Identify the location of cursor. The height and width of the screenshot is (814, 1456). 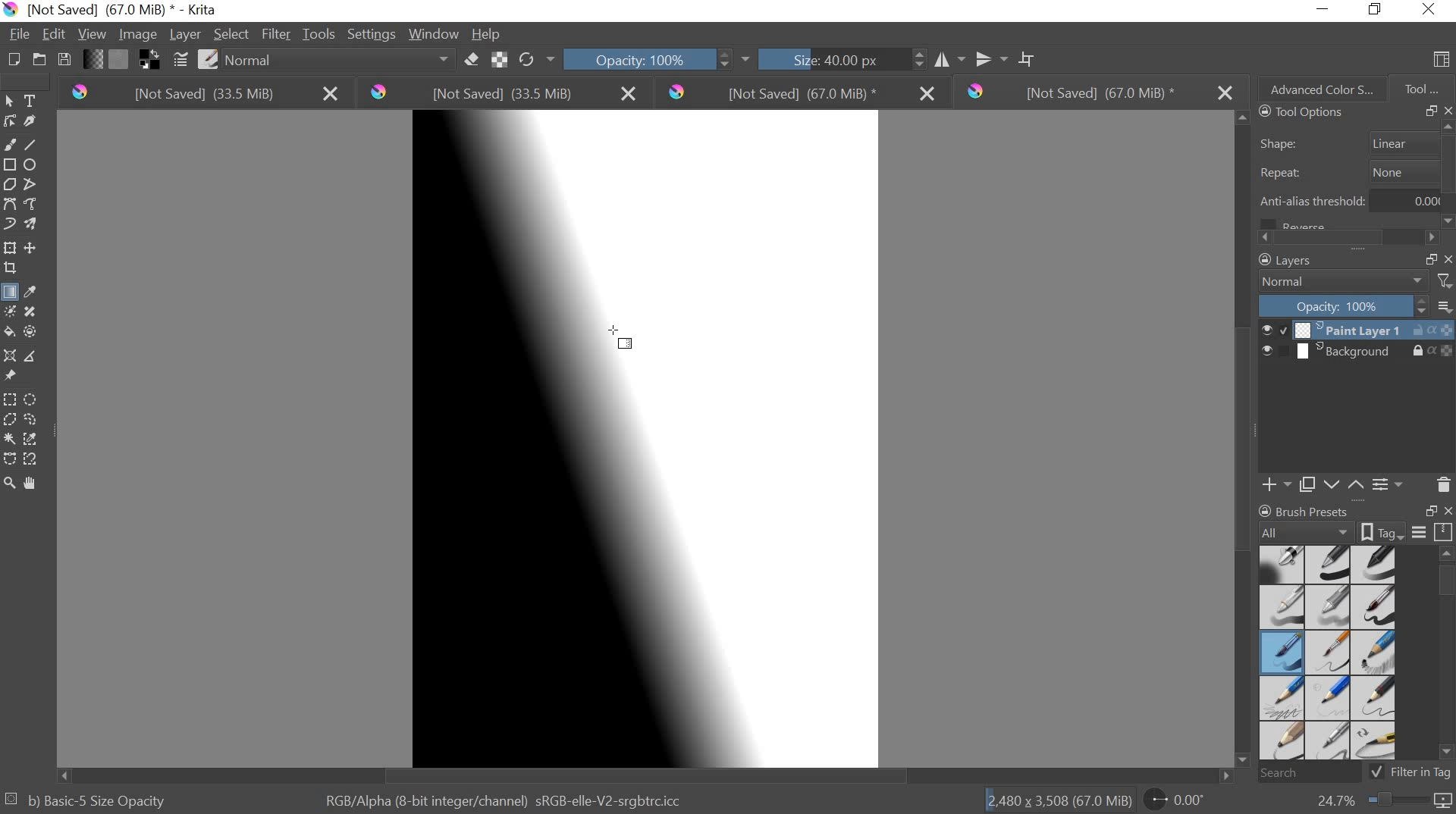
(619, 338).